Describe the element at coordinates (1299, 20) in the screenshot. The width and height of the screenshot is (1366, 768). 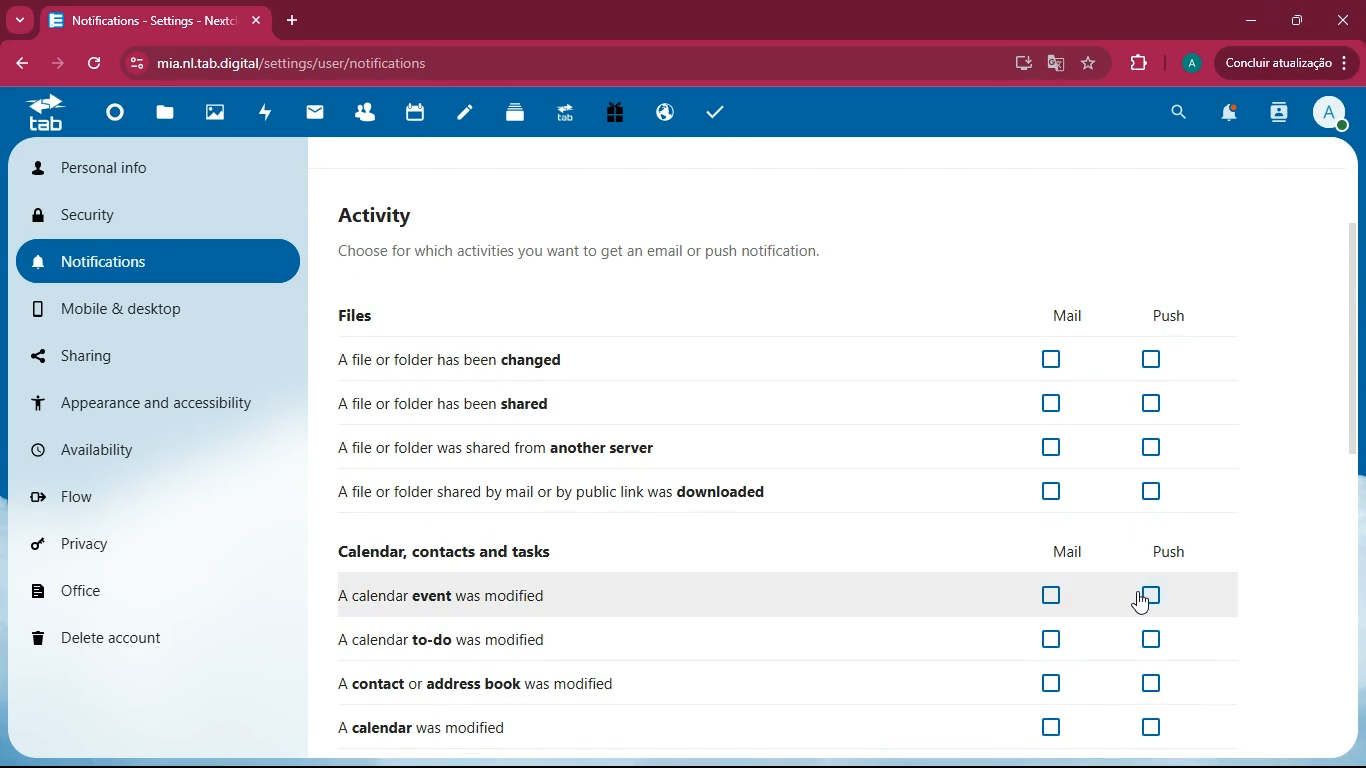
I see `maximize` at that location.